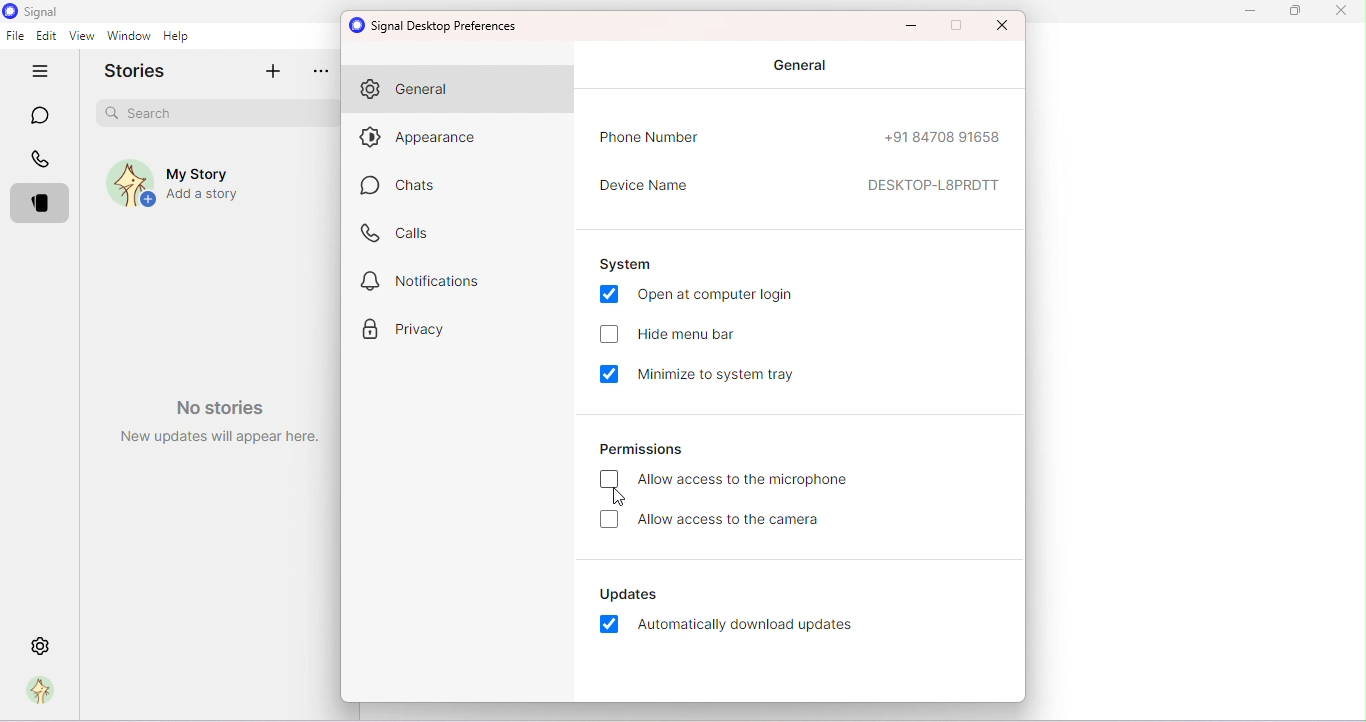 This screenshot has width=1366, height=722. Describe the element at coordinates (44, 75) in the screenshot. I see `Hide` at that location.